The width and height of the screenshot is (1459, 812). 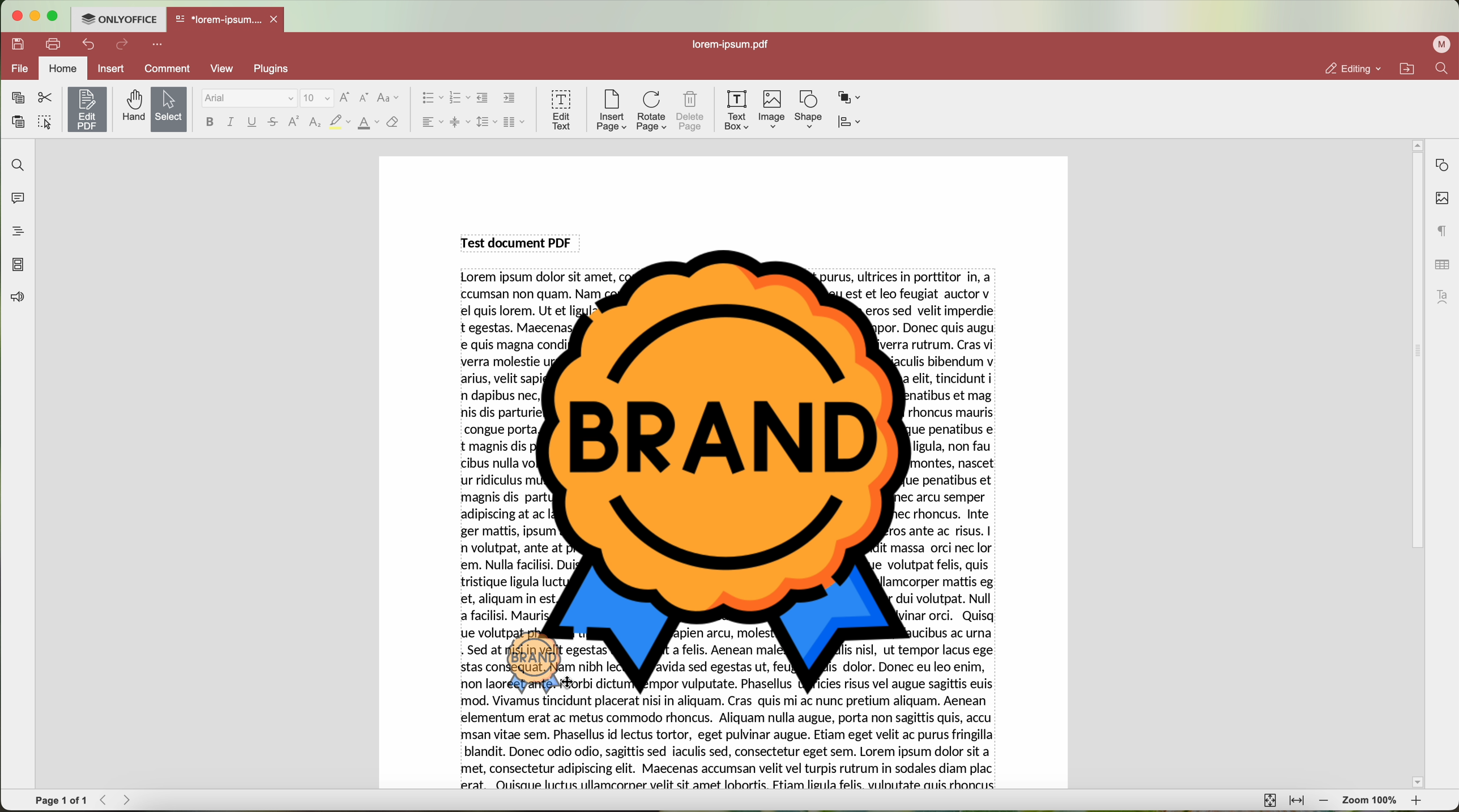 I want to click on file, so click(x=18, y=70).